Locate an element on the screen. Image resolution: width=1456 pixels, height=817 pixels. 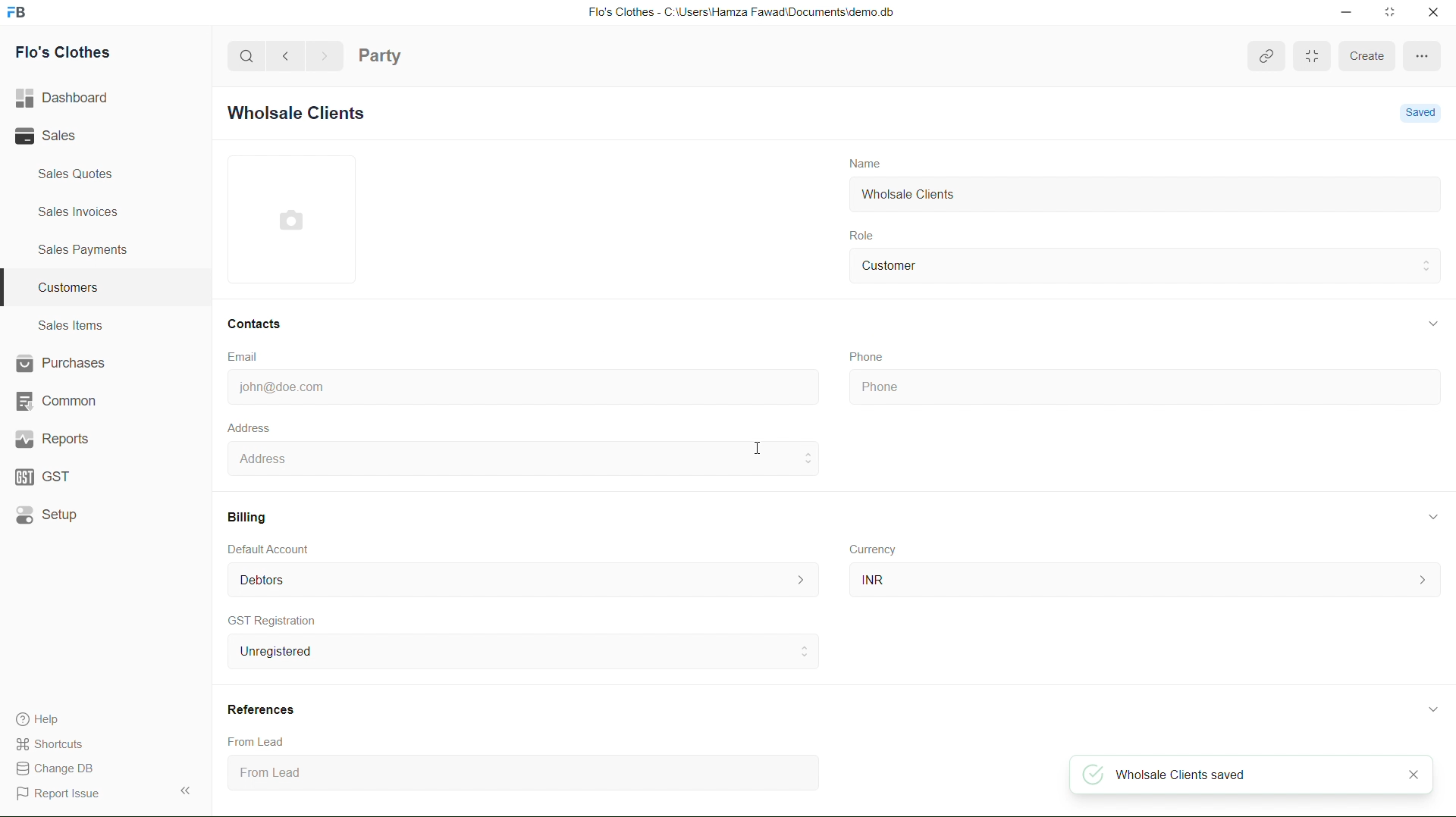
Phone is located at coordinates (865, 353).